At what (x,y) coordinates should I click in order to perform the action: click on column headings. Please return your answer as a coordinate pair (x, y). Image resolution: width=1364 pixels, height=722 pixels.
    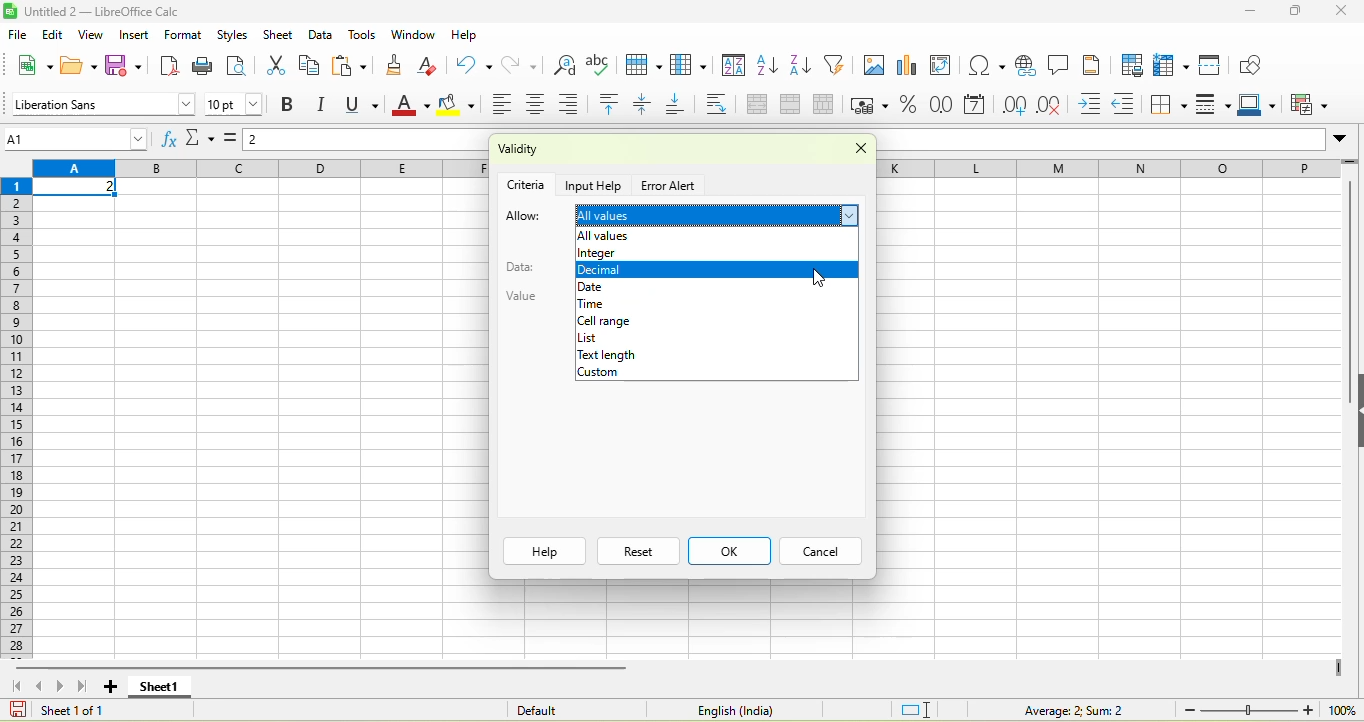
    Looking at the image, I should click on (260, 169).